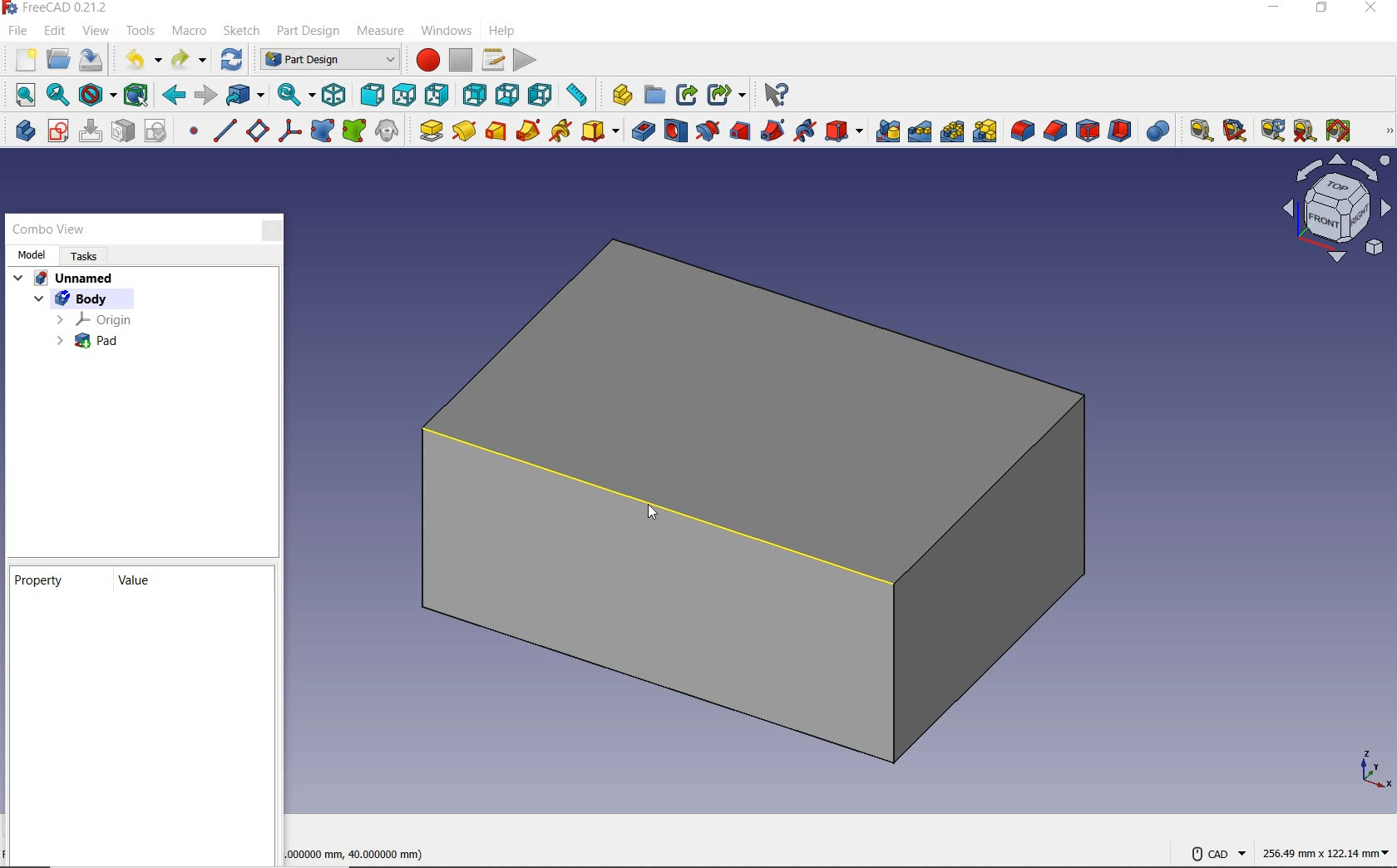 This screenshot has height=868, width=1397. What do you see at coordinates (33, 254) in the screenshot?
I see `model` at bounding box center [33, 254].